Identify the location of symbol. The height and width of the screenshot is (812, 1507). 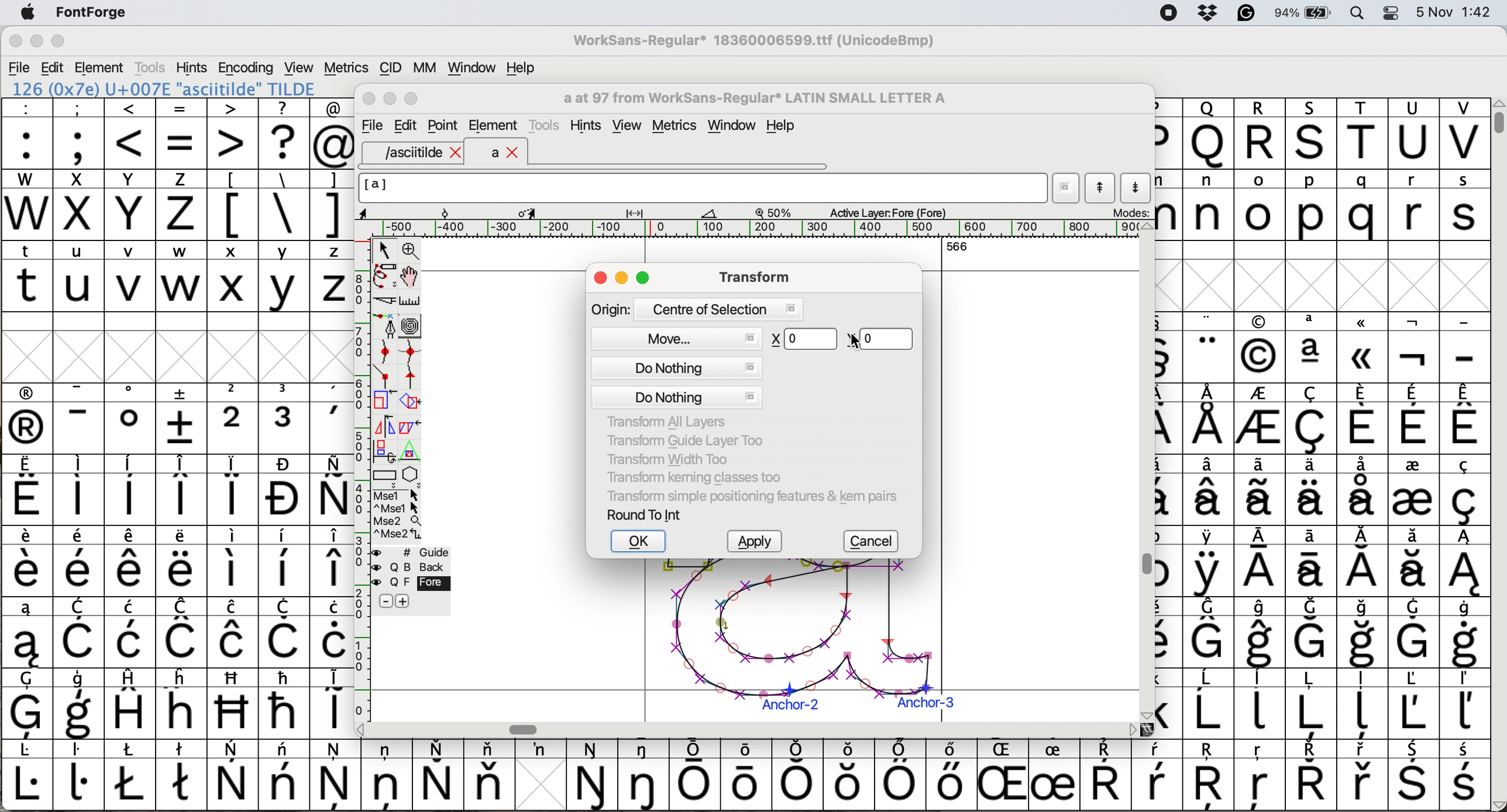
(332, 562).